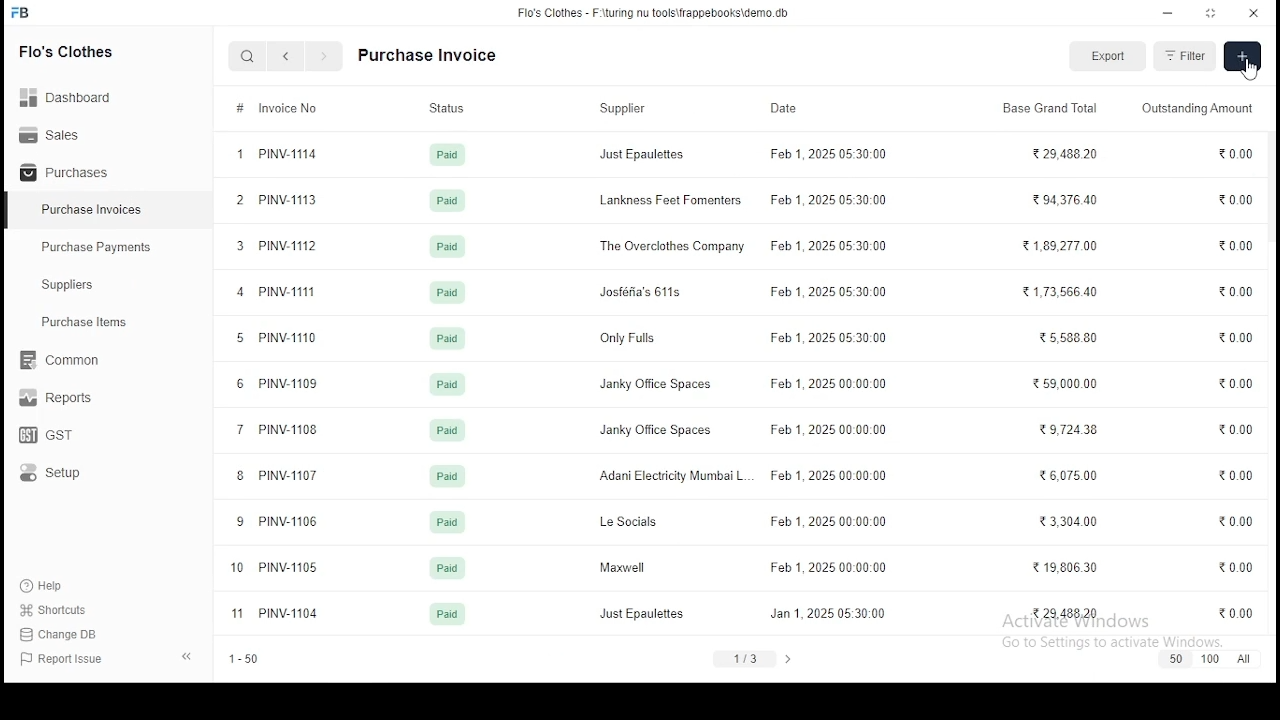  What do you see at coordinates (1069, 475) in the screenshot?
I see `6075.00` at bounding box center [1069, 475].